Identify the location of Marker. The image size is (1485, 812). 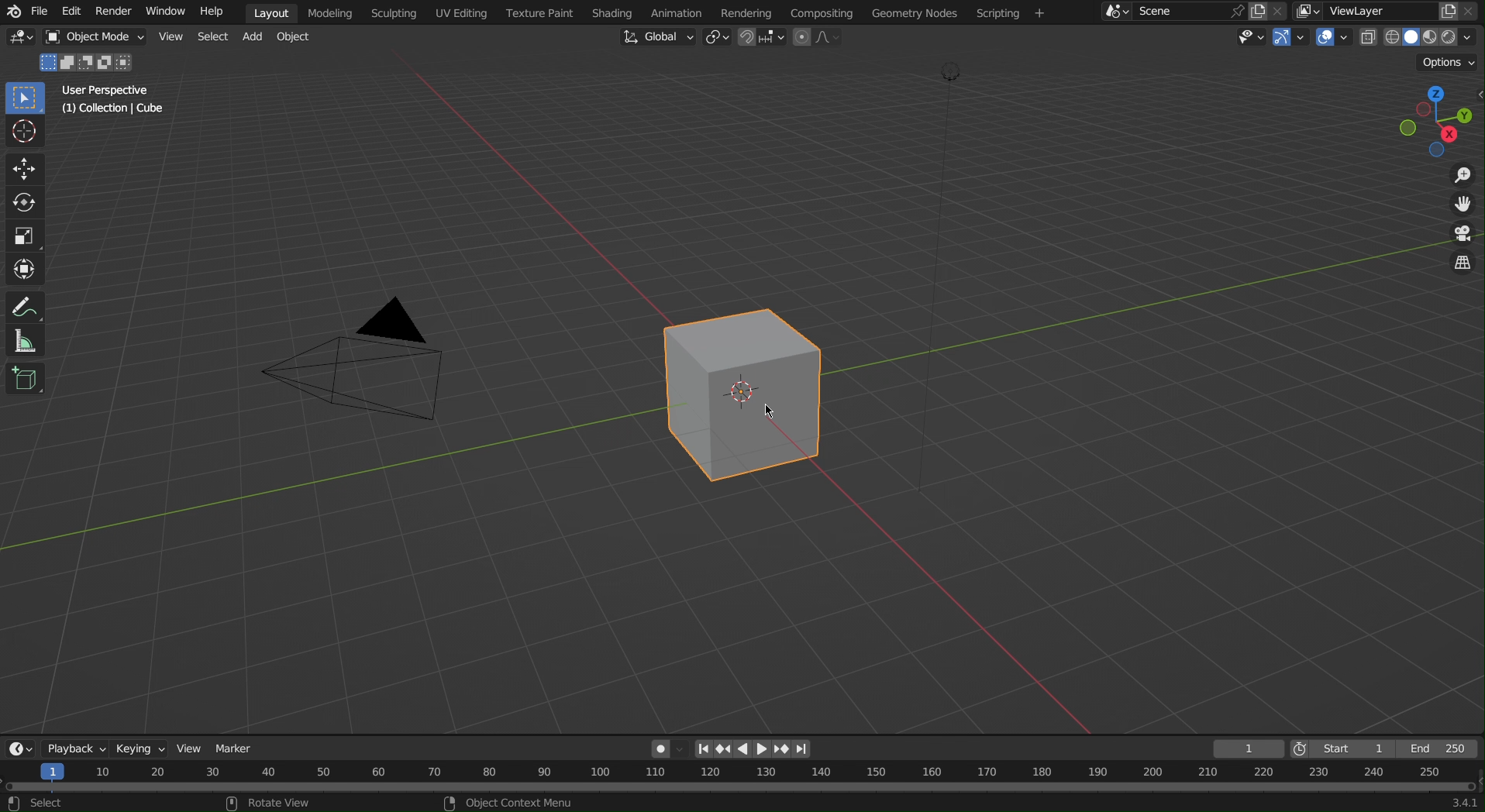
(239, 749).